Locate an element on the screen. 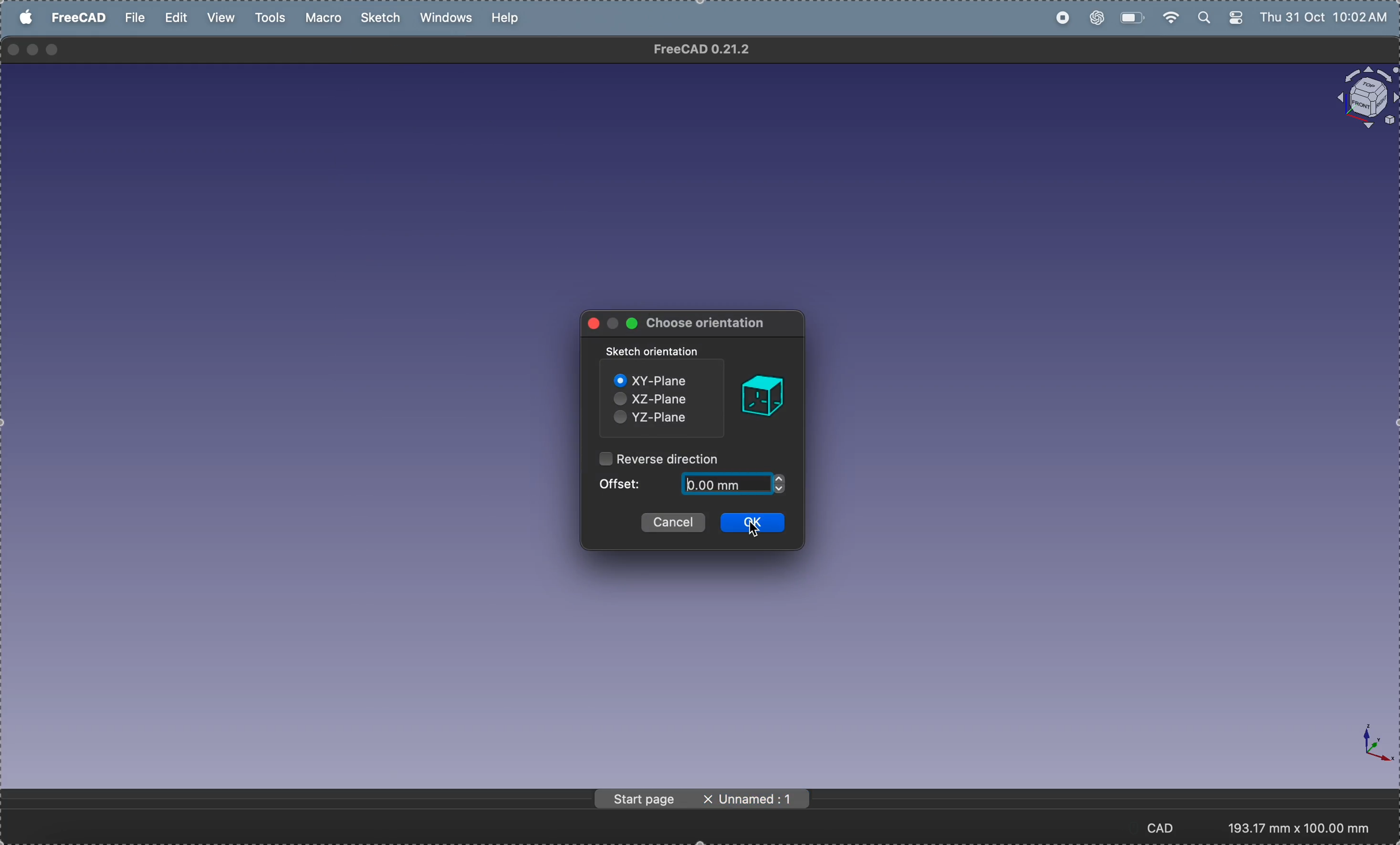 This screenshot has height=845, width=1400. CAD is located at coordinates (1166, 827).